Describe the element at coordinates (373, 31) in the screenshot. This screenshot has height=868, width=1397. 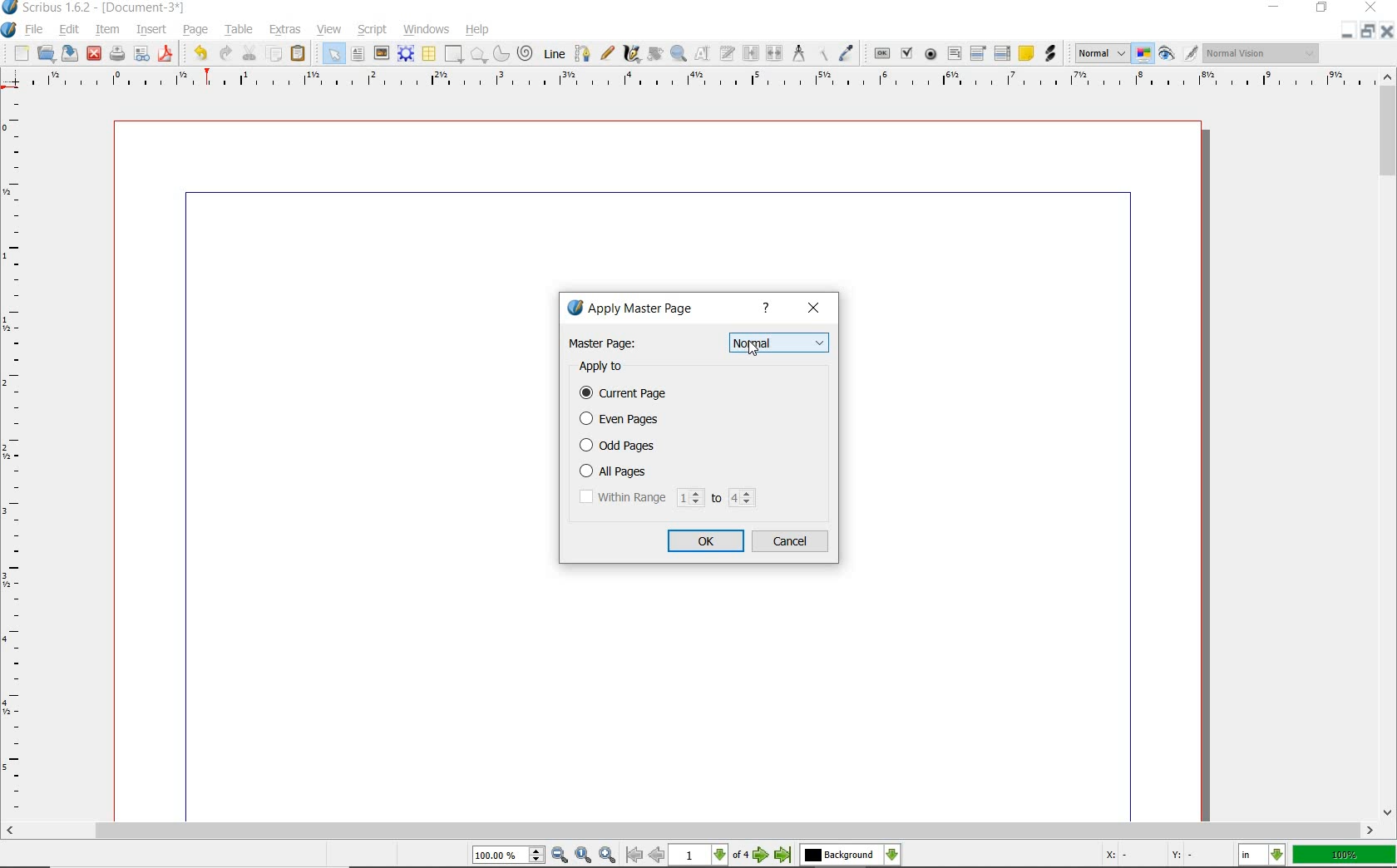
I see `script` at that location.